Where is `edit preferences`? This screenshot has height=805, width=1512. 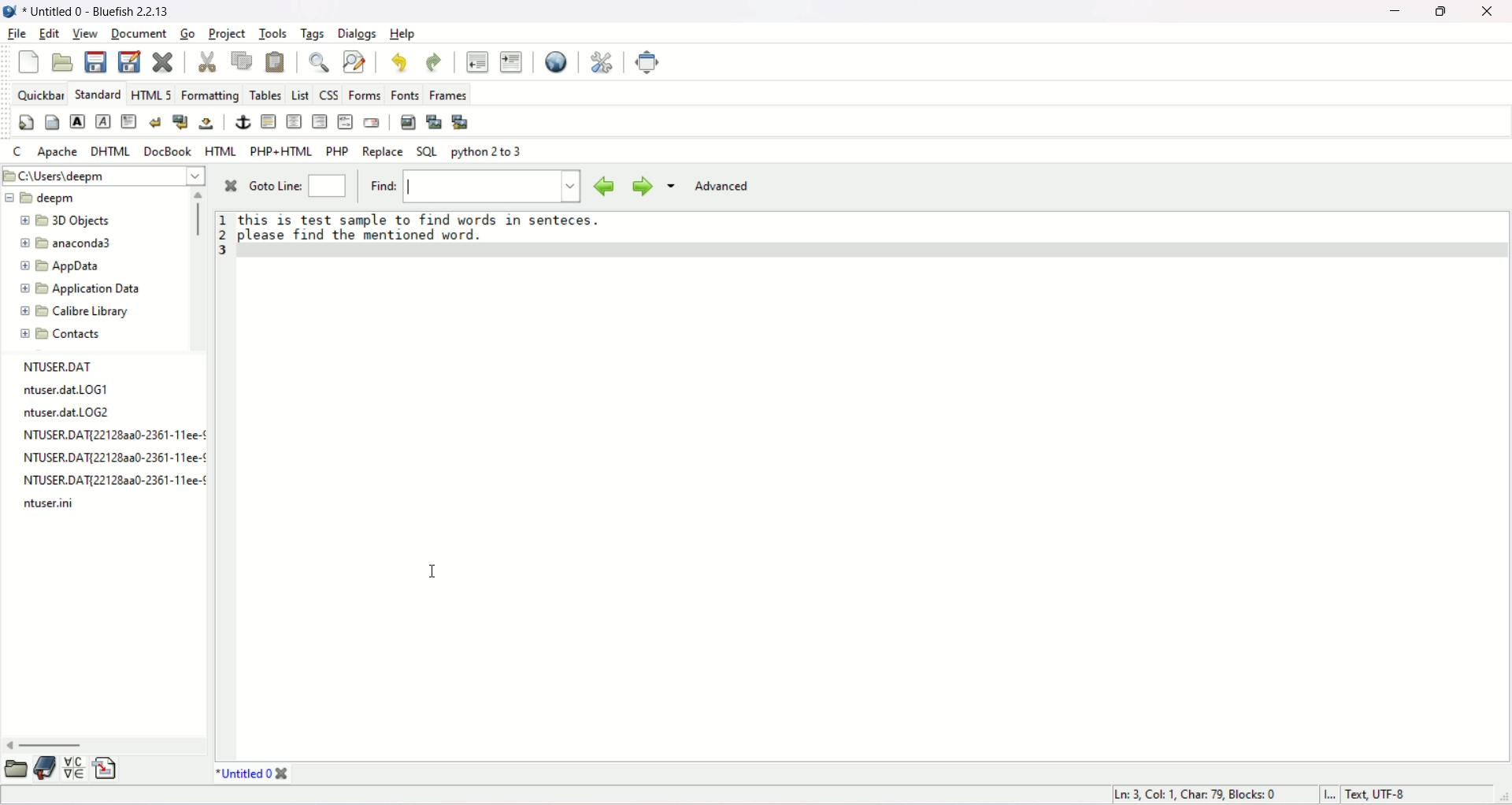
edit preferences is located at coordinates (603, 61).